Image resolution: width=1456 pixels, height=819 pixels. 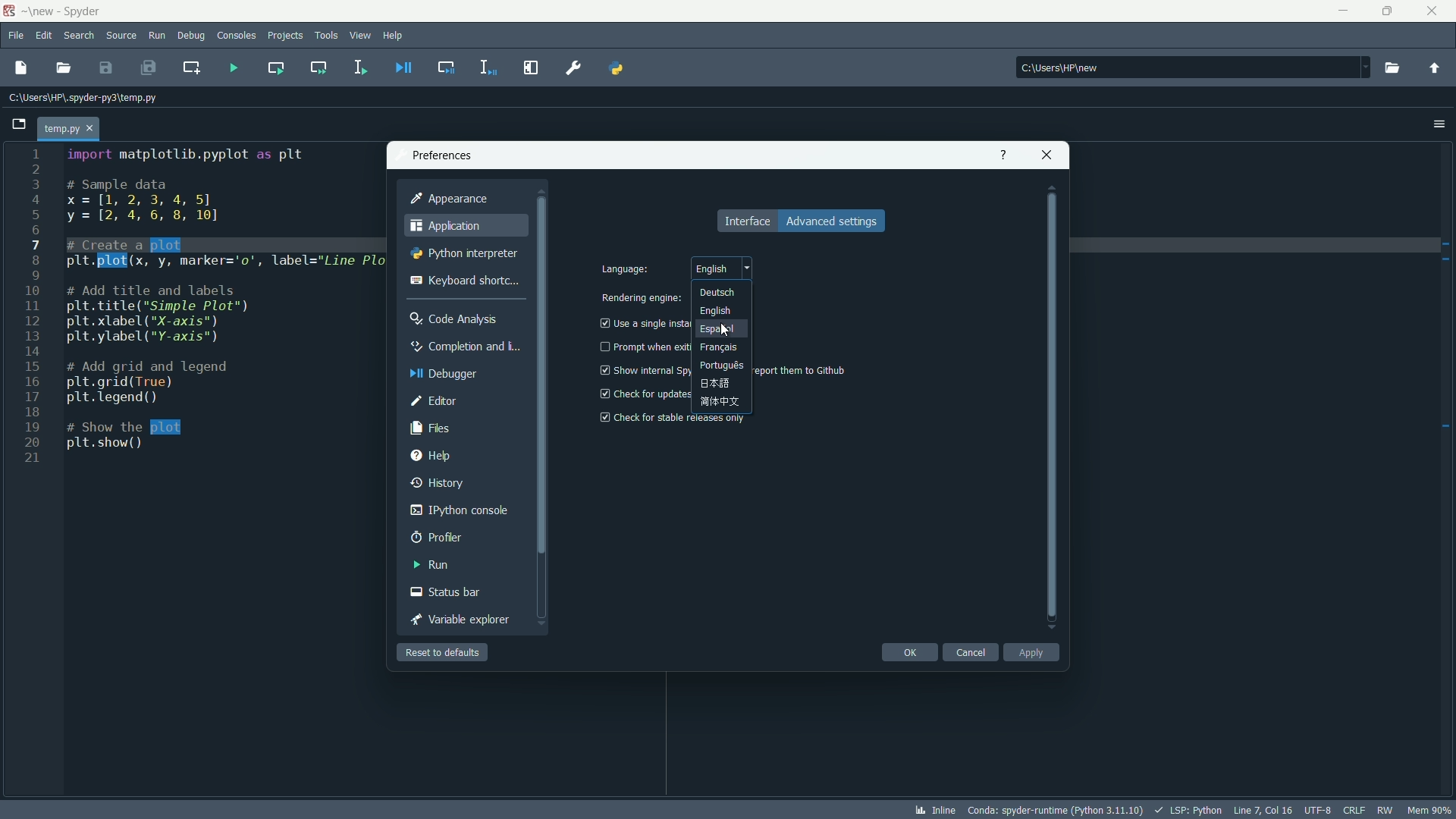 What do you see at coordinates (1186, 810) in the screenshot?
I see `lsp:python` at bounding box center [1186, 810].